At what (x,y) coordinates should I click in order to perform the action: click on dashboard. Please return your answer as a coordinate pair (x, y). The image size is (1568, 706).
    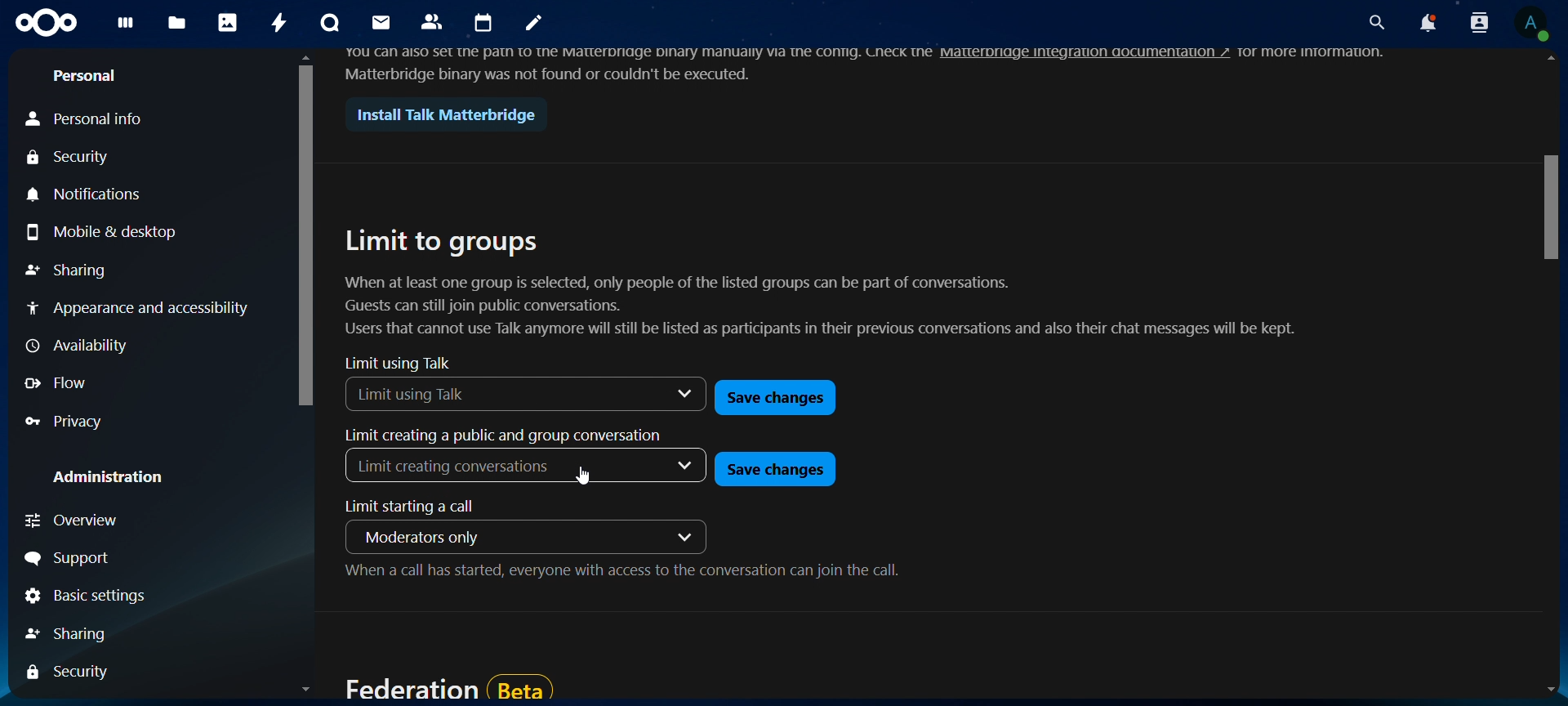
    Looking at the image, I should click on (124, 26).